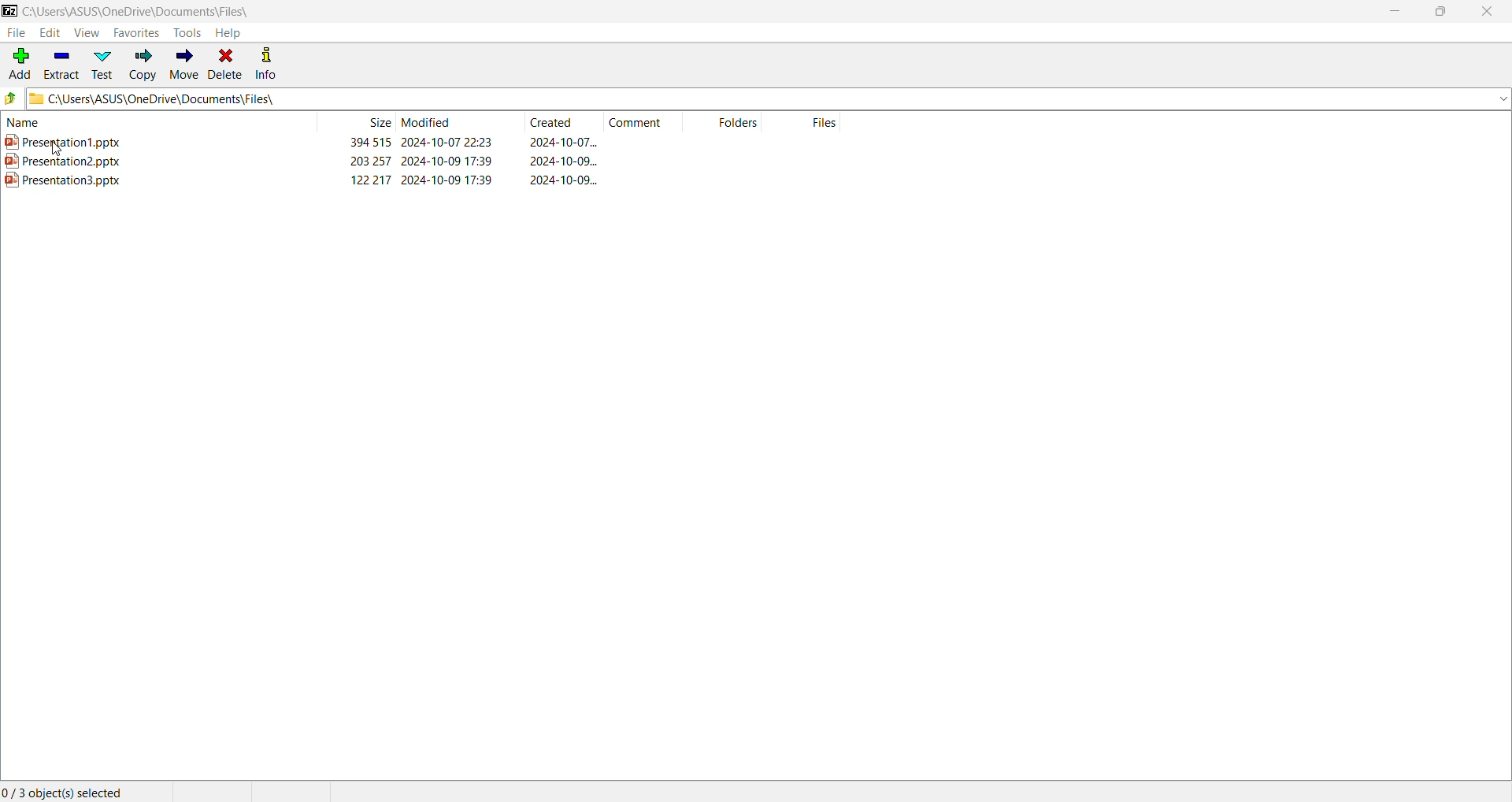  What do you see at coordinates (39, 122) in the screenshot?
I see `Name` at bounding box center [39, 122].